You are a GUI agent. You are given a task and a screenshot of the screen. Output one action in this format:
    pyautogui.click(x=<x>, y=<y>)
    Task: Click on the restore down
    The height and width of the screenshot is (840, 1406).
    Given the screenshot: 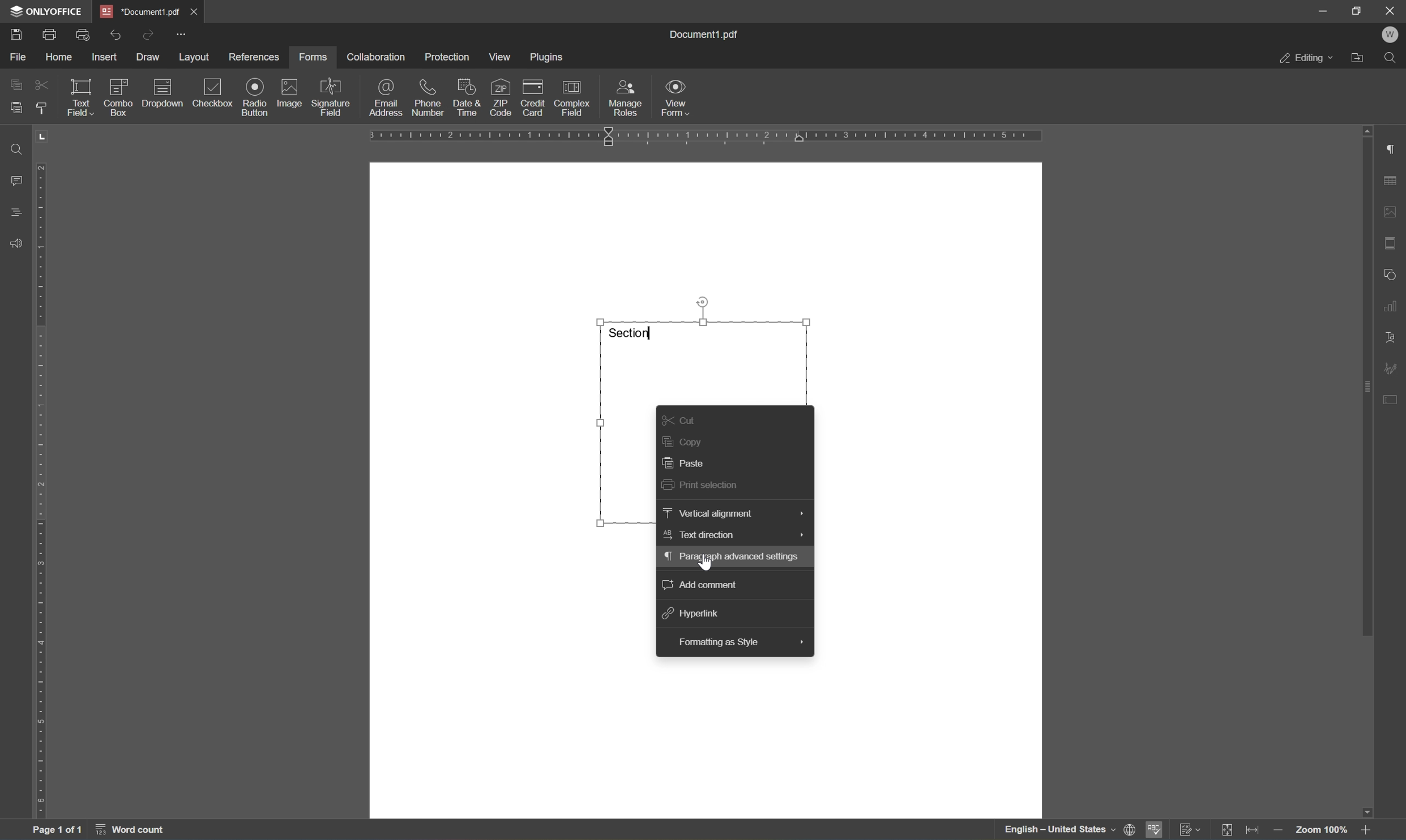 What is the action you would take?
    pyautogui.click(x=1358, y=11)
    